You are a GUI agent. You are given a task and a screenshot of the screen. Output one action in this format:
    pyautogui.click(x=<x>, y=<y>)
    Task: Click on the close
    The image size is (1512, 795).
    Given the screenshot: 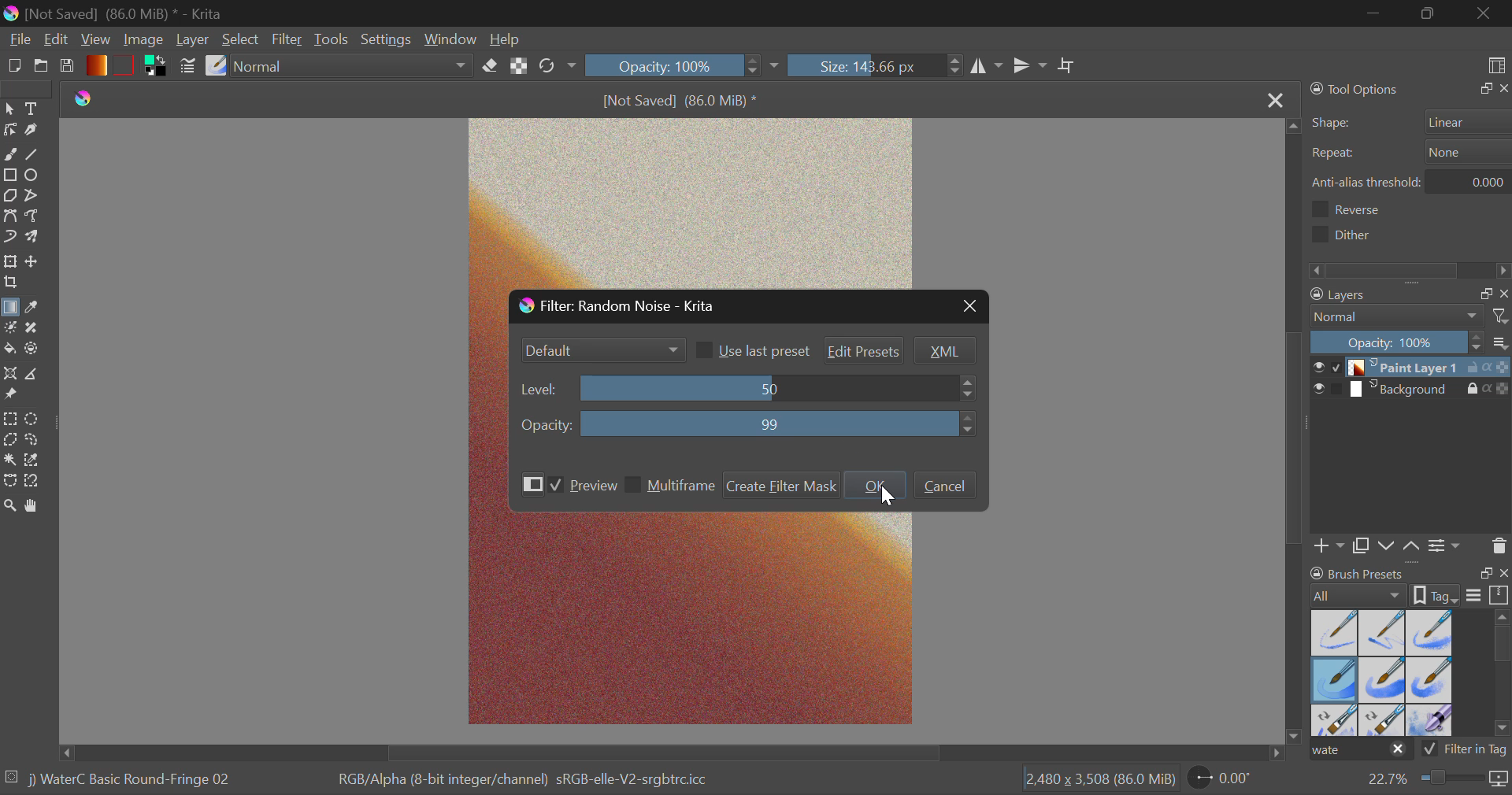 What is the action you would take?
    pyautogui.click(x=1503, y=294)
    